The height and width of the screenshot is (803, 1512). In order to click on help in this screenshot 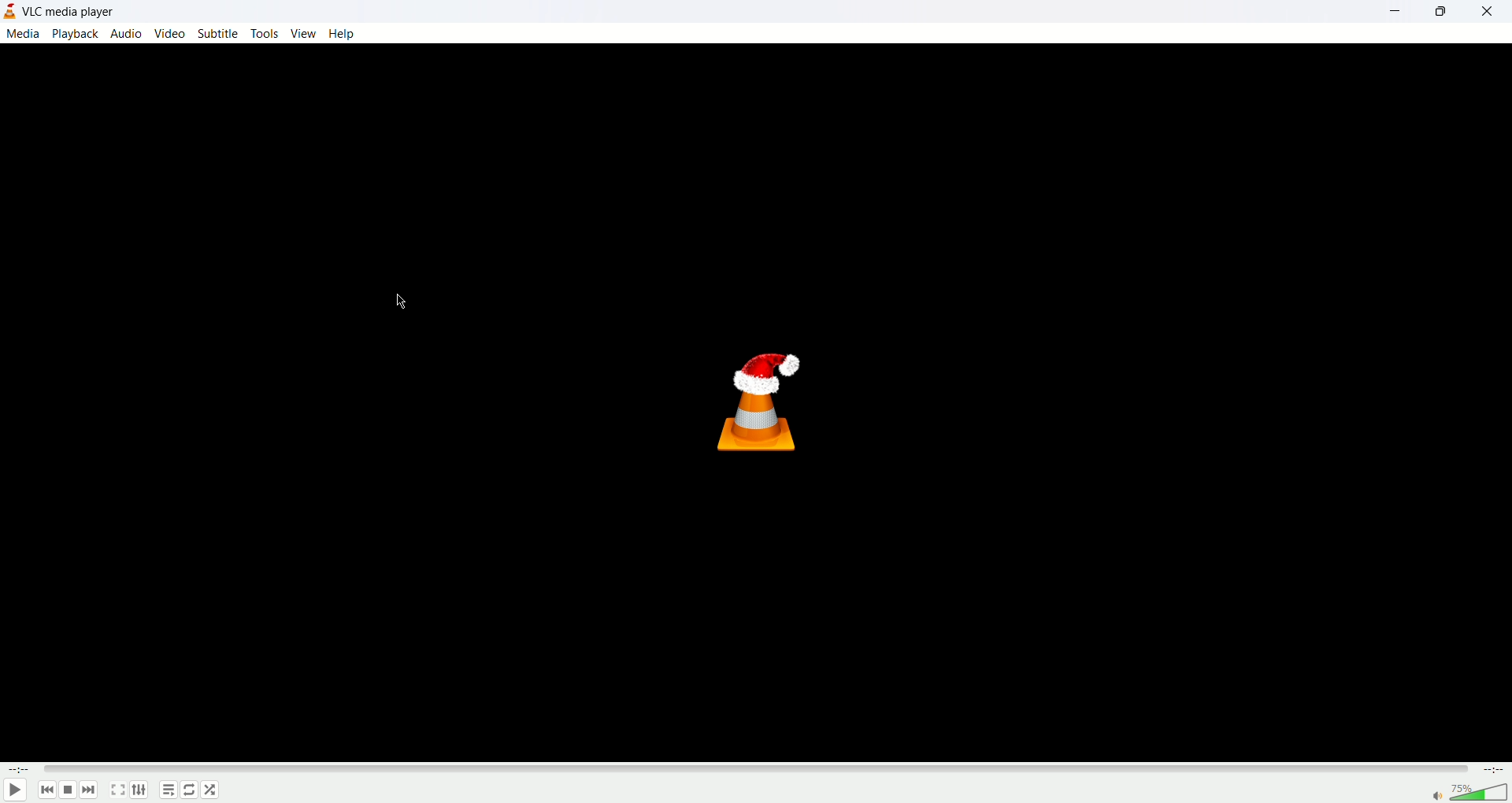, I will do `click(345, 33)`.